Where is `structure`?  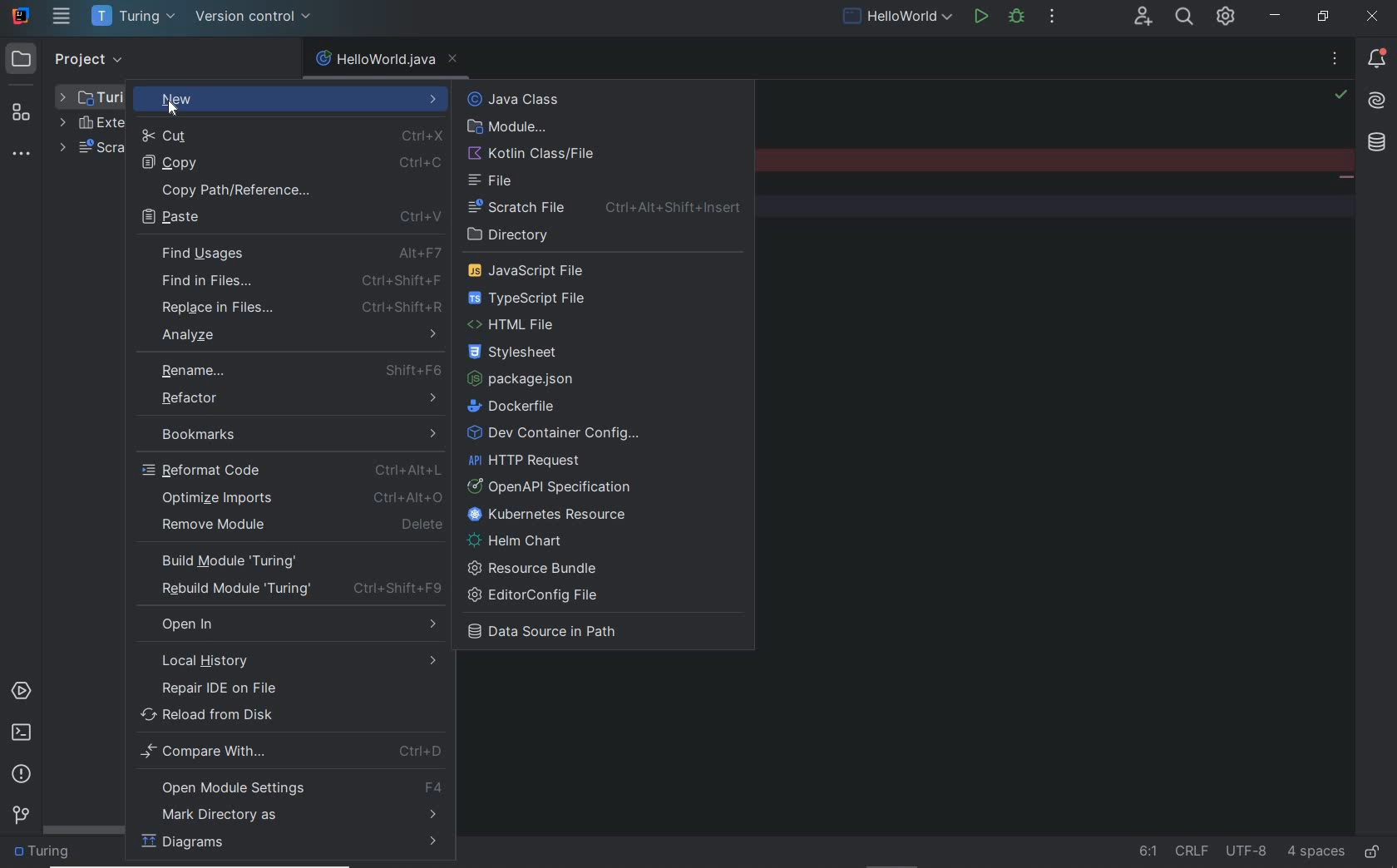 structure is located at coordinates (23, 106).